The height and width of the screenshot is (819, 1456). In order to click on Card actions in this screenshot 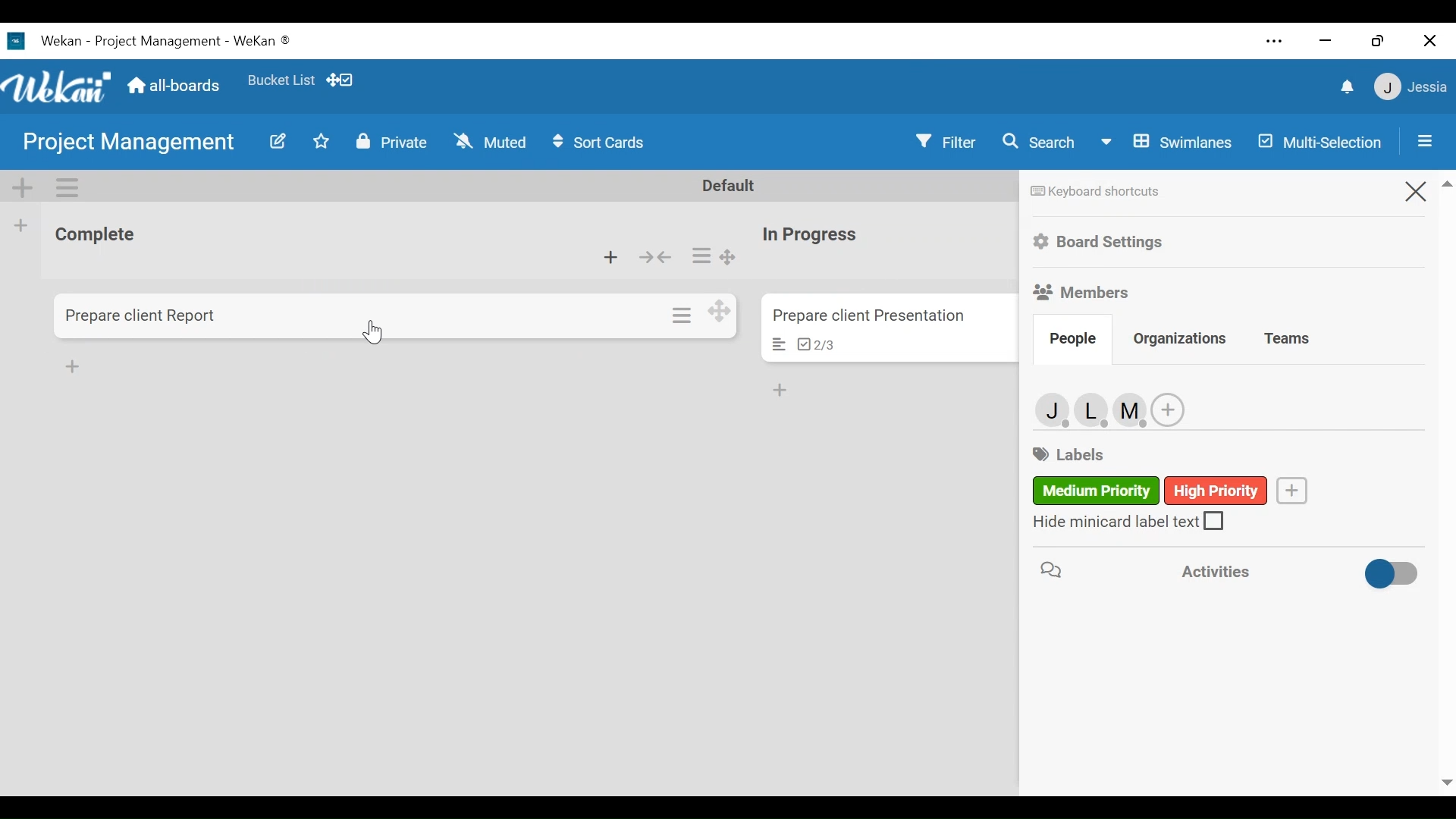, I will do `click(683, 314)`.